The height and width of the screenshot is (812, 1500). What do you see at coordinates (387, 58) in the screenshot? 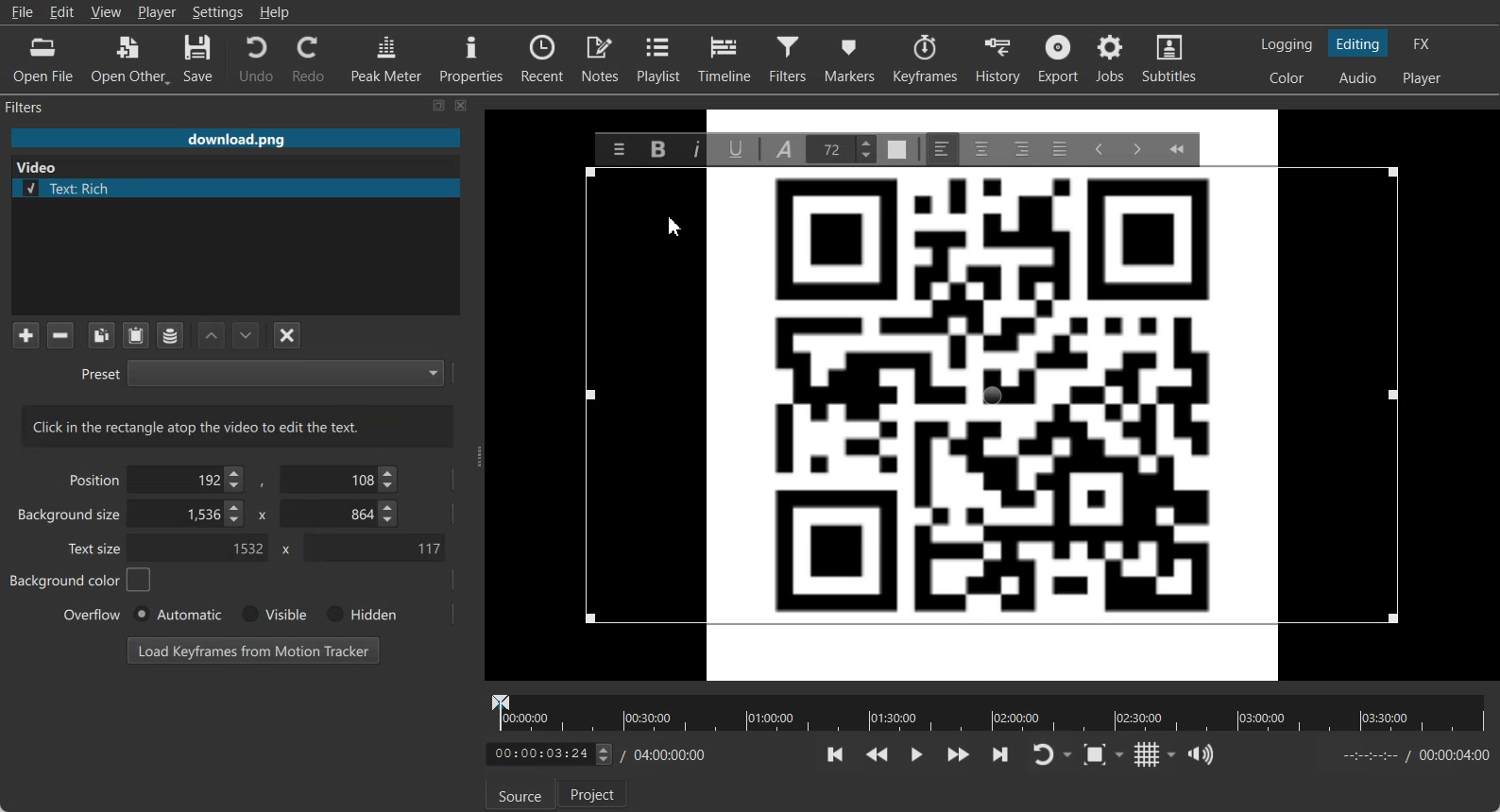
I see `Peak Meter` at bounding box center [387, 58].